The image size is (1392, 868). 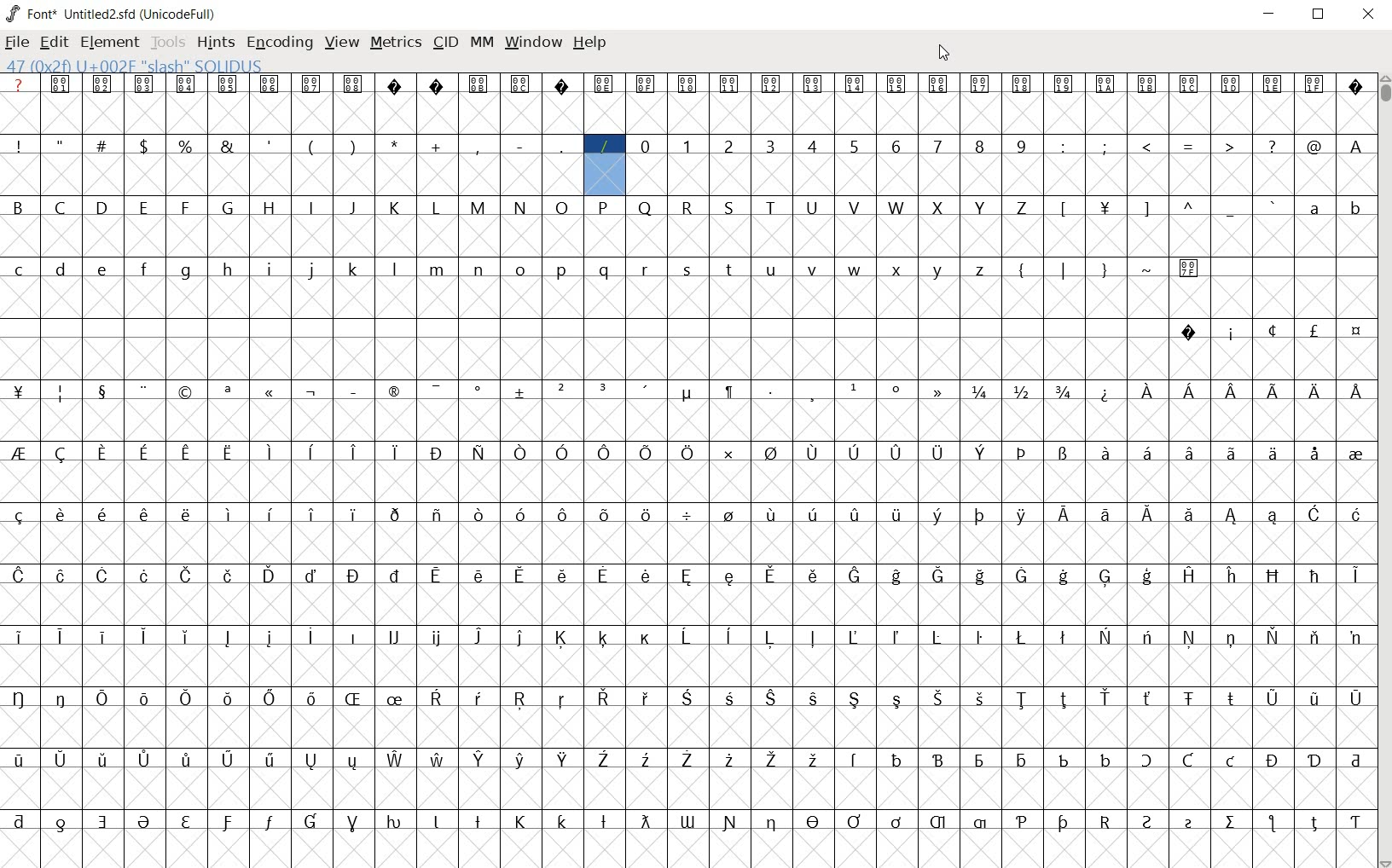 I want to click on glyph, so click(x=228, y=759).